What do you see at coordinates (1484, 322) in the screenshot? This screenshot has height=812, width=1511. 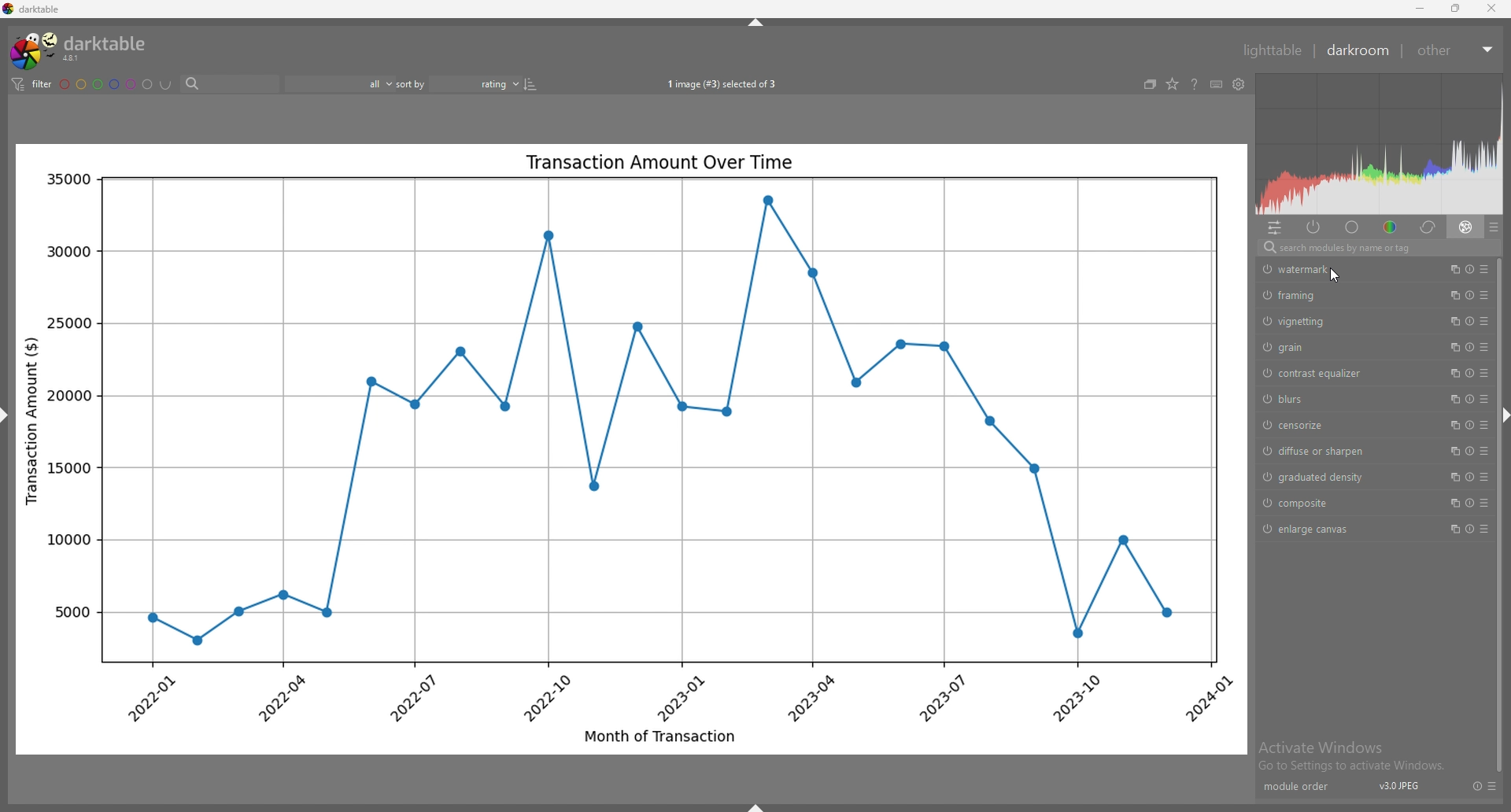 I see `presets` at bounding box center [1484, 322].